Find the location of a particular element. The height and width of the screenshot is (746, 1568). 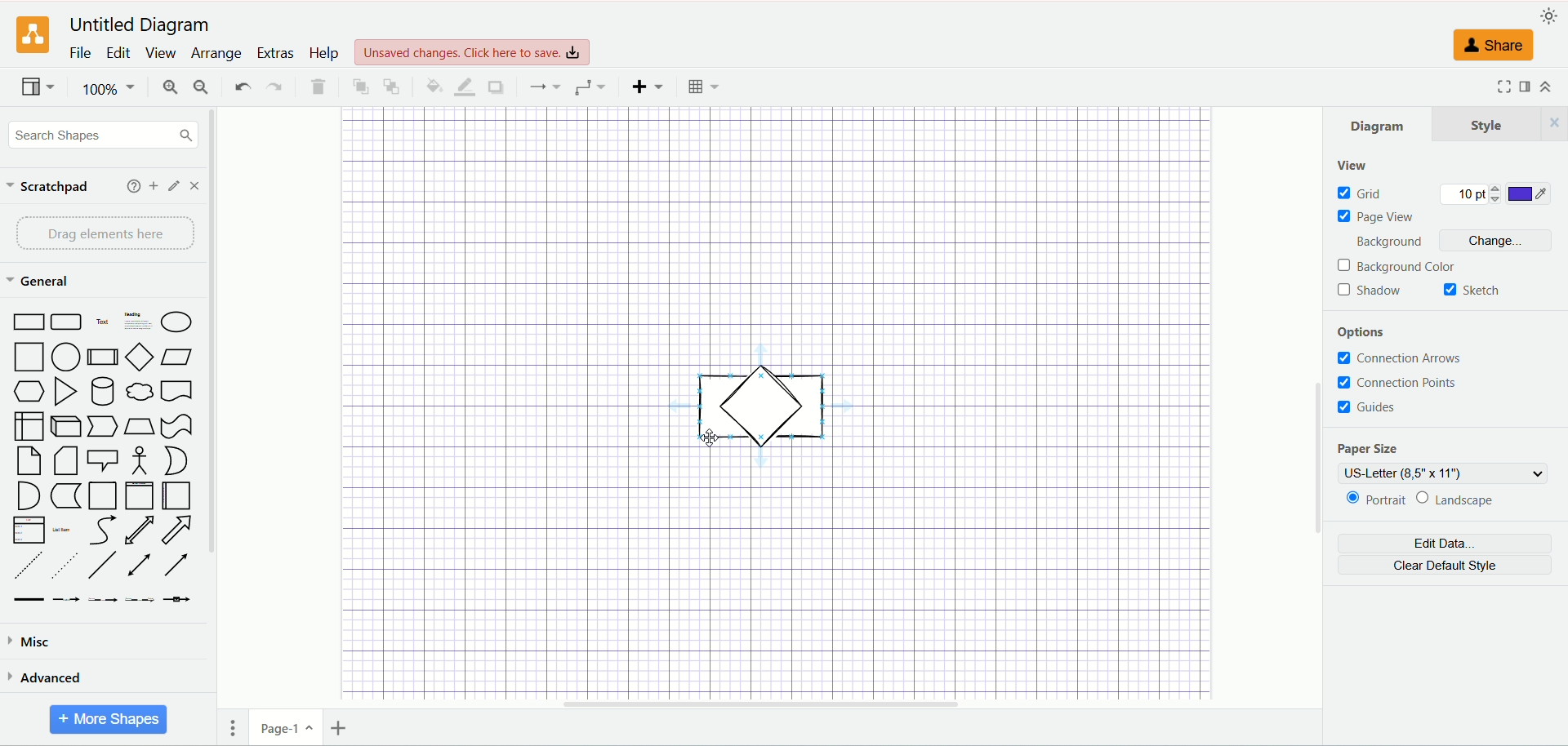

Callout is located at coordinates (103, 460).